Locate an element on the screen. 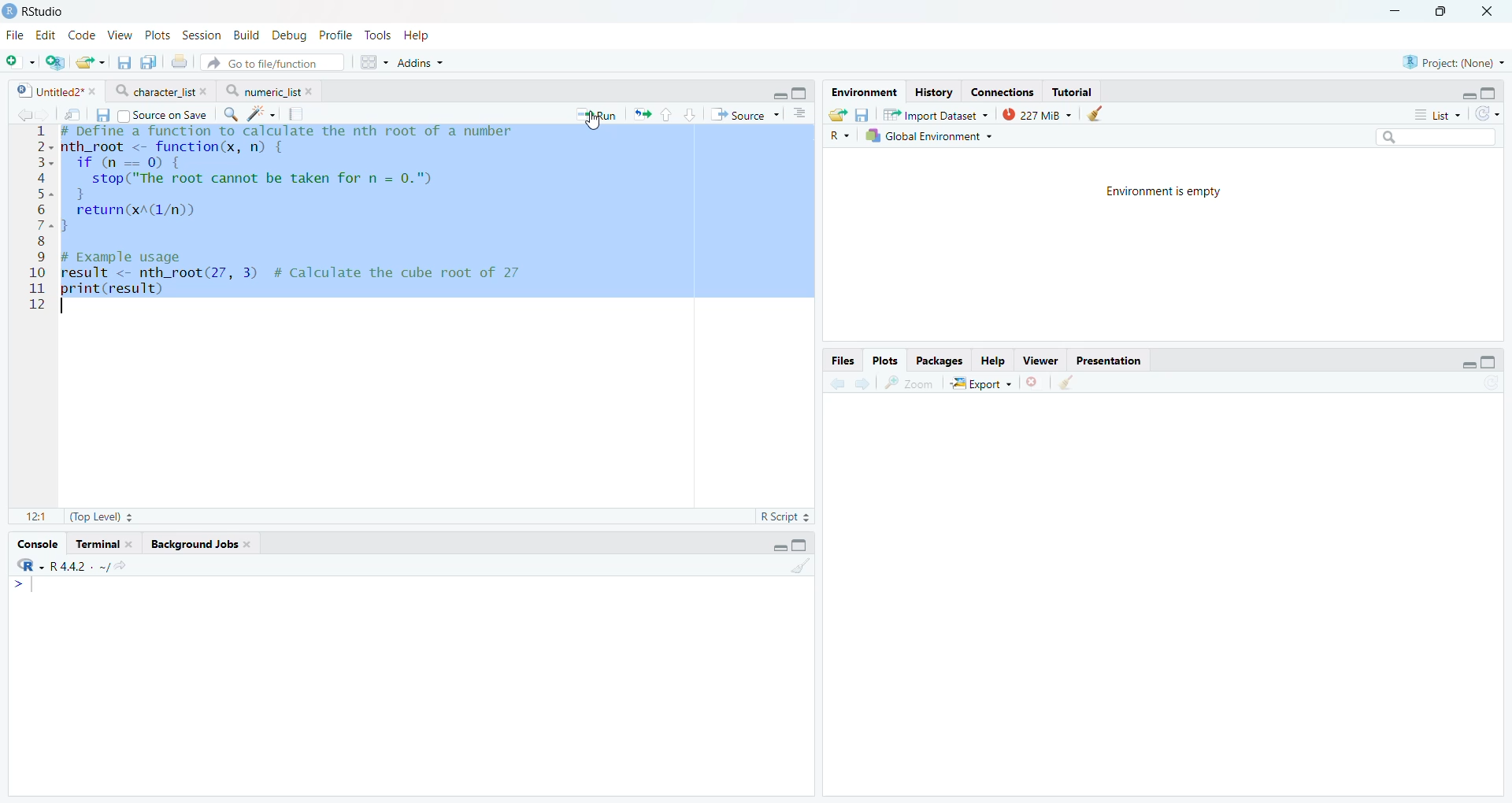 The height and width of the screenshot is (803, 1512). Console is located at coordinates (35, 543).